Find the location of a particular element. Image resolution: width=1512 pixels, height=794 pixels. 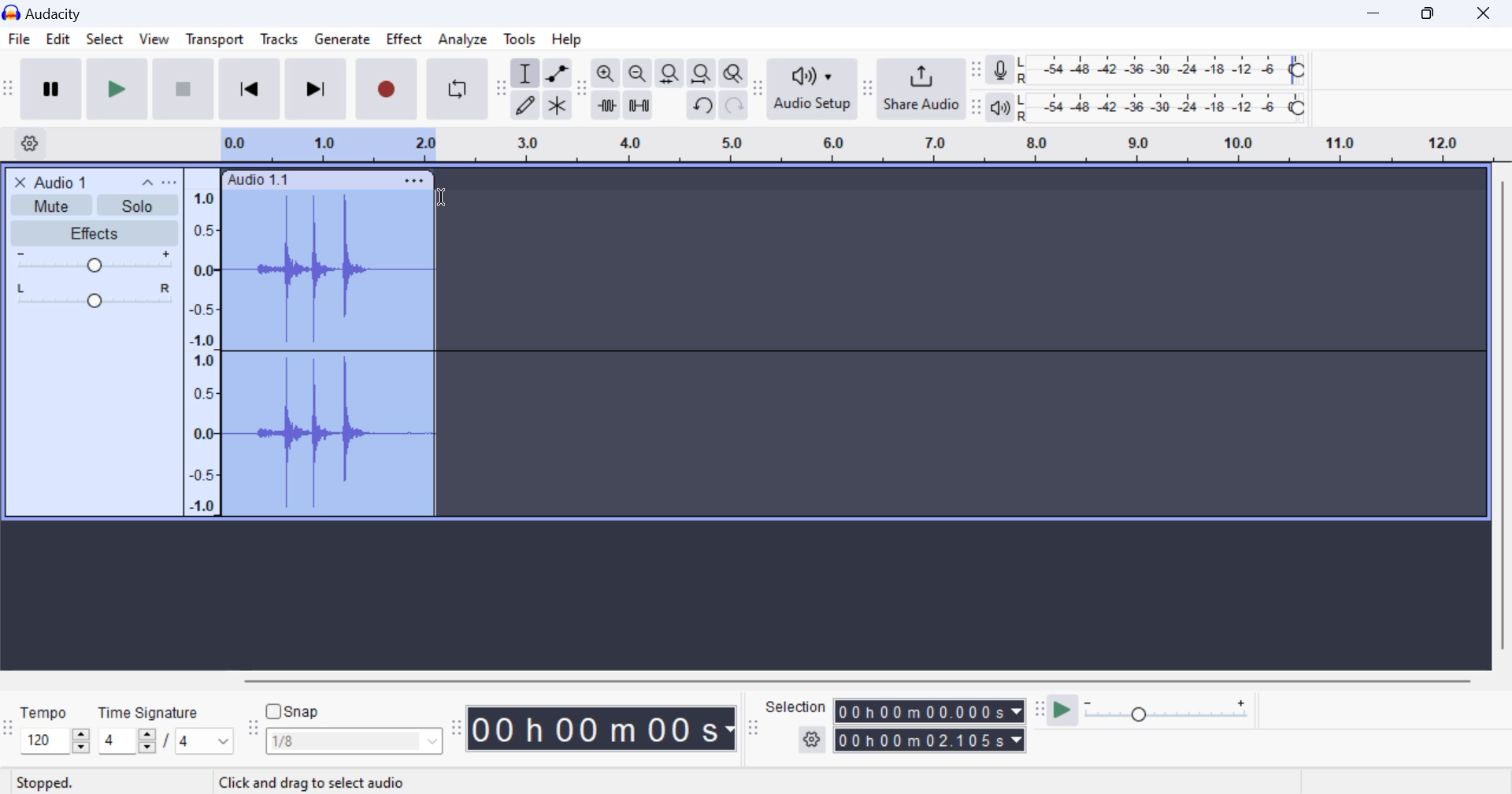

Clip Settings is located at coordinates (414, 180).